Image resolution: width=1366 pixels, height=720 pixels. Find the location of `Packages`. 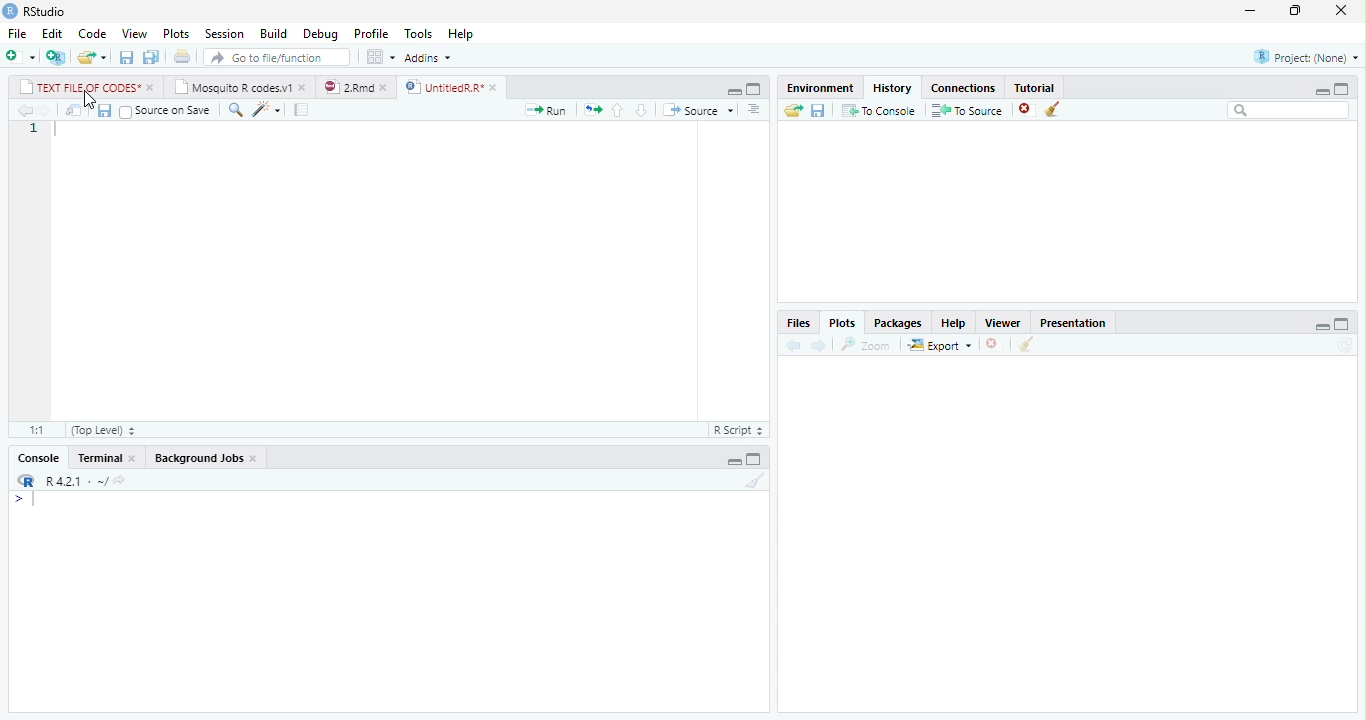

Packages is located at coordinates (895, 324).